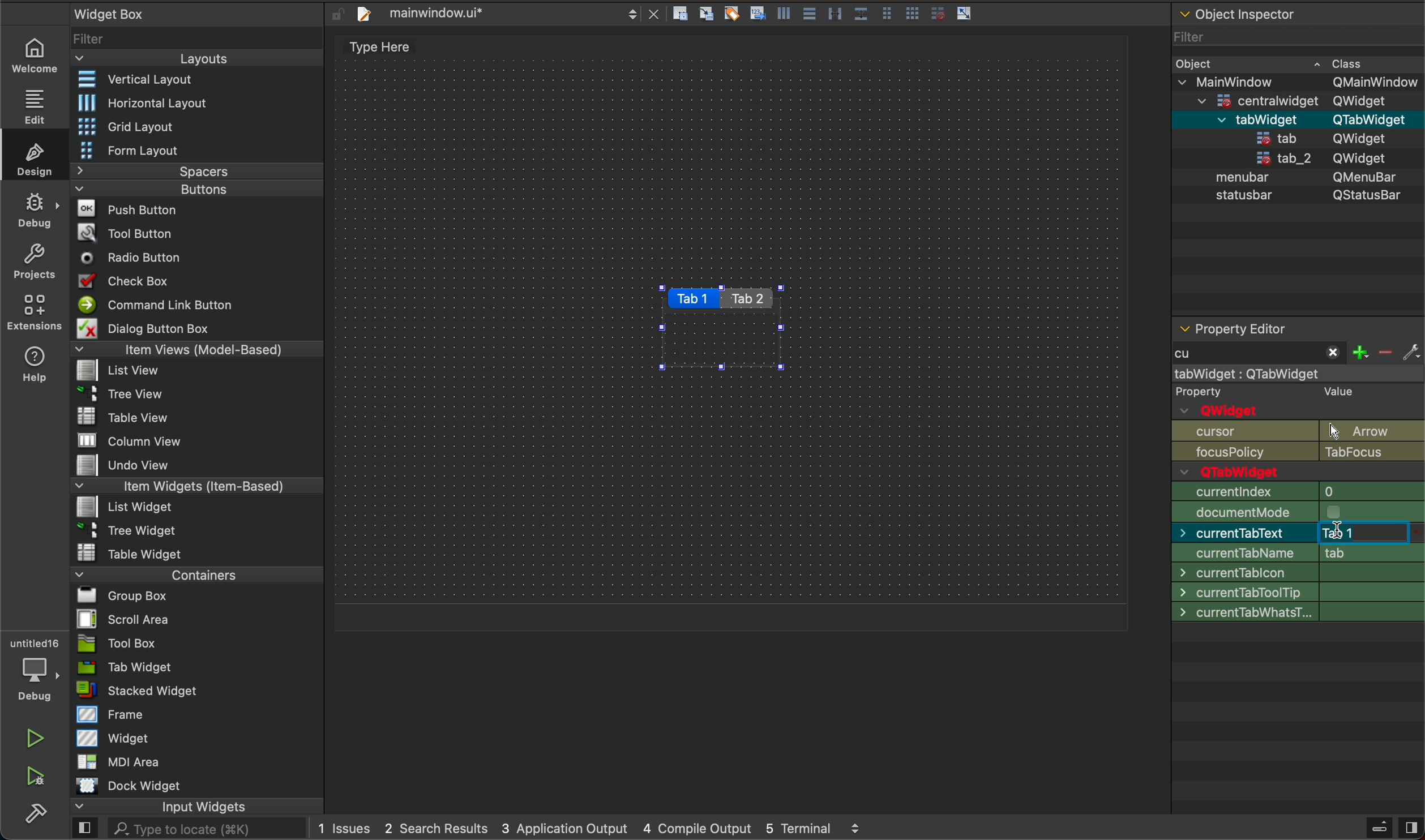 This screenshot has width=1425, height=840. I want to click on  Command Link Button, so click(155, 304).